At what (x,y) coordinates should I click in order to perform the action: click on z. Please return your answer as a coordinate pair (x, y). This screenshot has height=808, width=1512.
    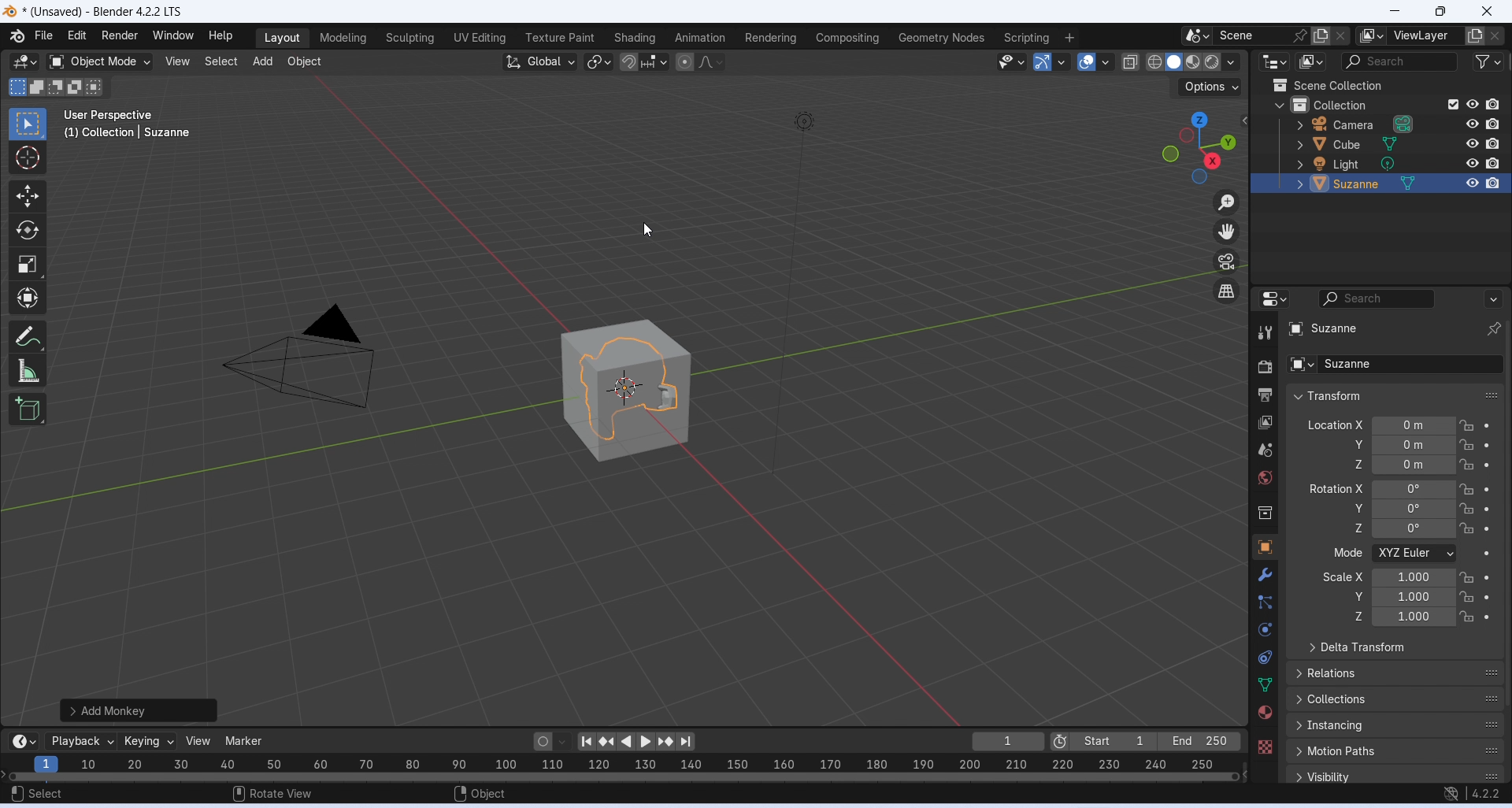
    Looking at the image, I should click on (1353, 617).